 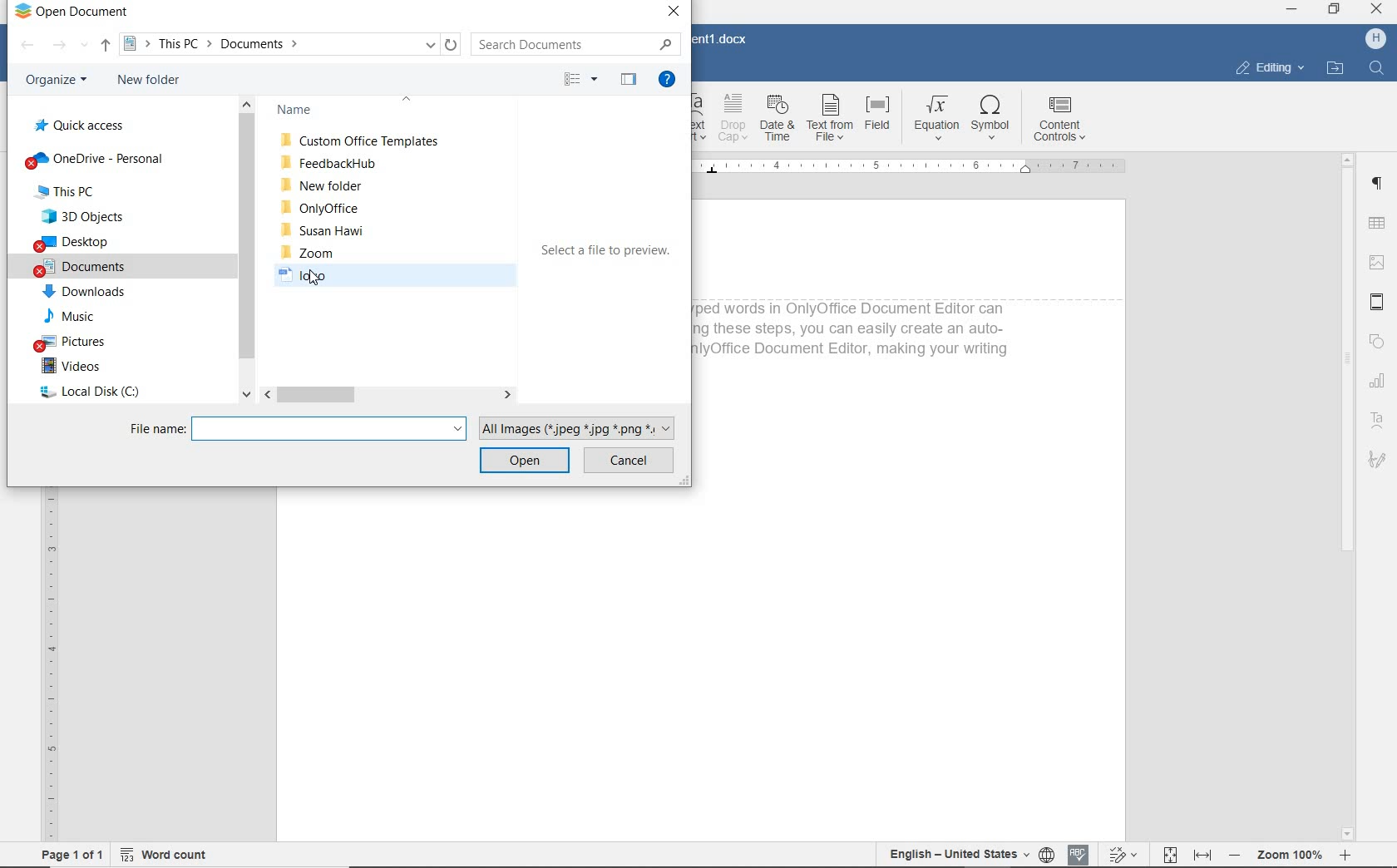 I want to click on THIS PC, so click(x=80, y=191).